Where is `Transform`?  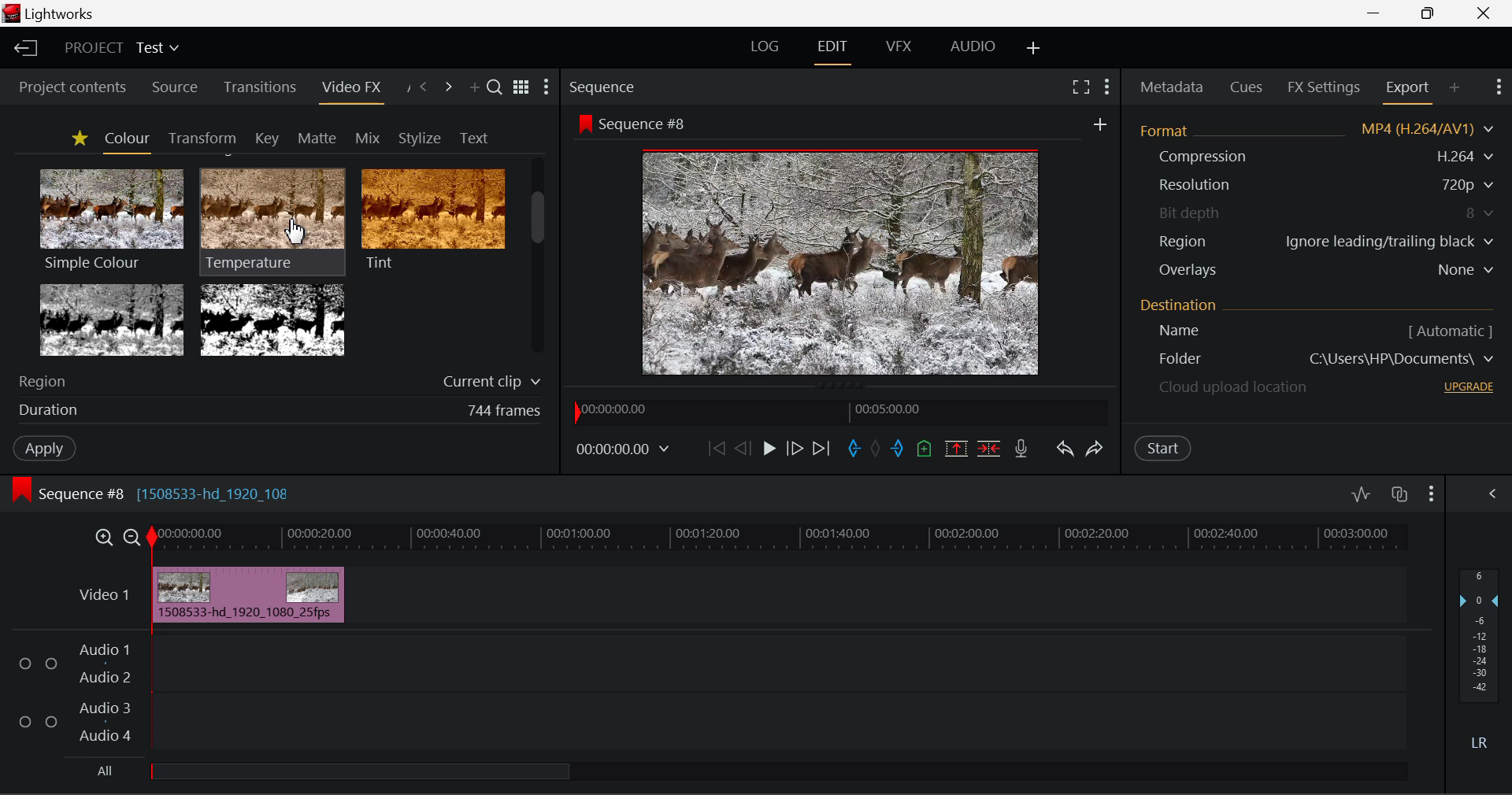
Transform is located at coordinates (199, 137).